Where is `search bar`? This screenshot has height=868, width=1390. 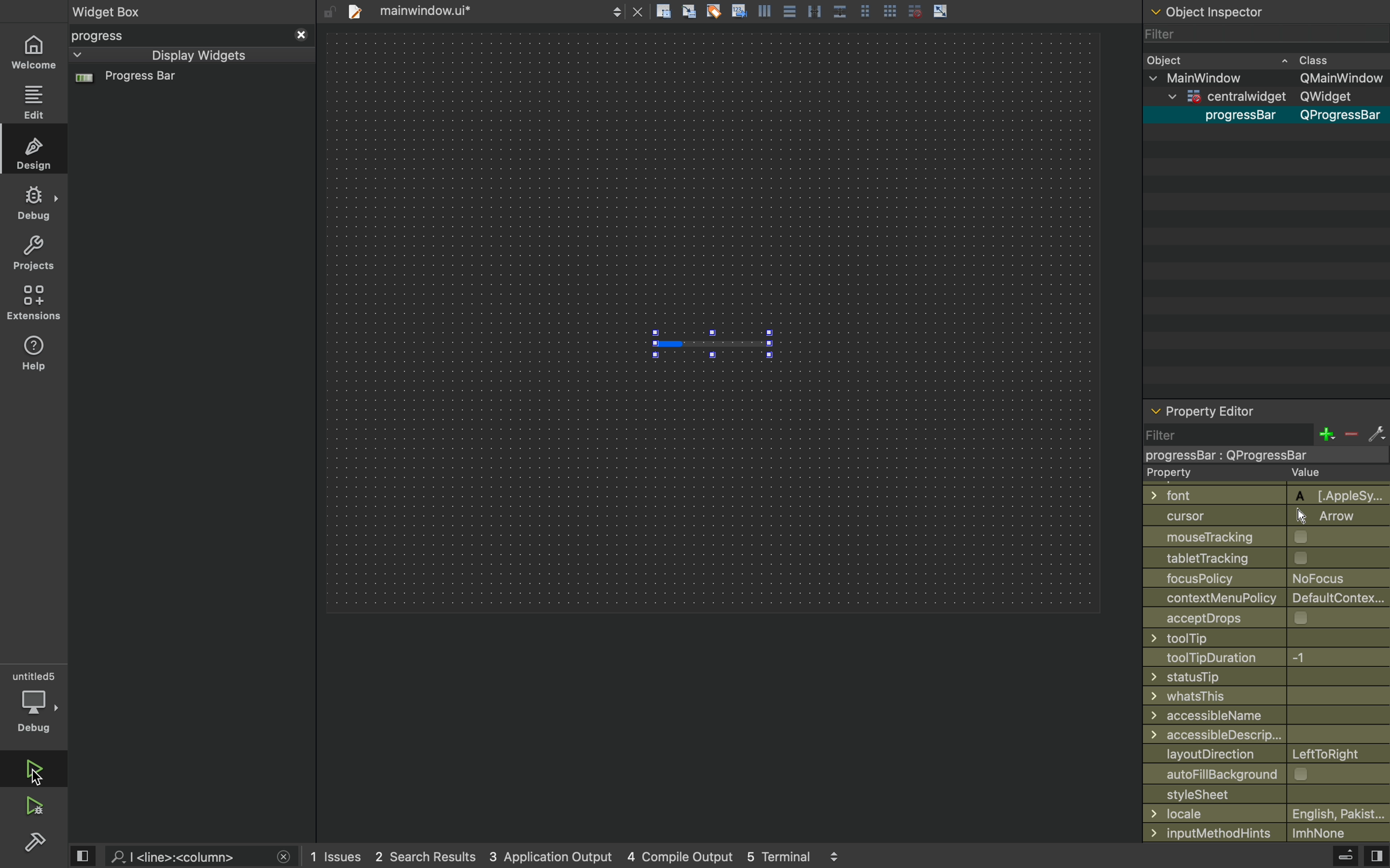
search bar is located at coordinates (199, 857).